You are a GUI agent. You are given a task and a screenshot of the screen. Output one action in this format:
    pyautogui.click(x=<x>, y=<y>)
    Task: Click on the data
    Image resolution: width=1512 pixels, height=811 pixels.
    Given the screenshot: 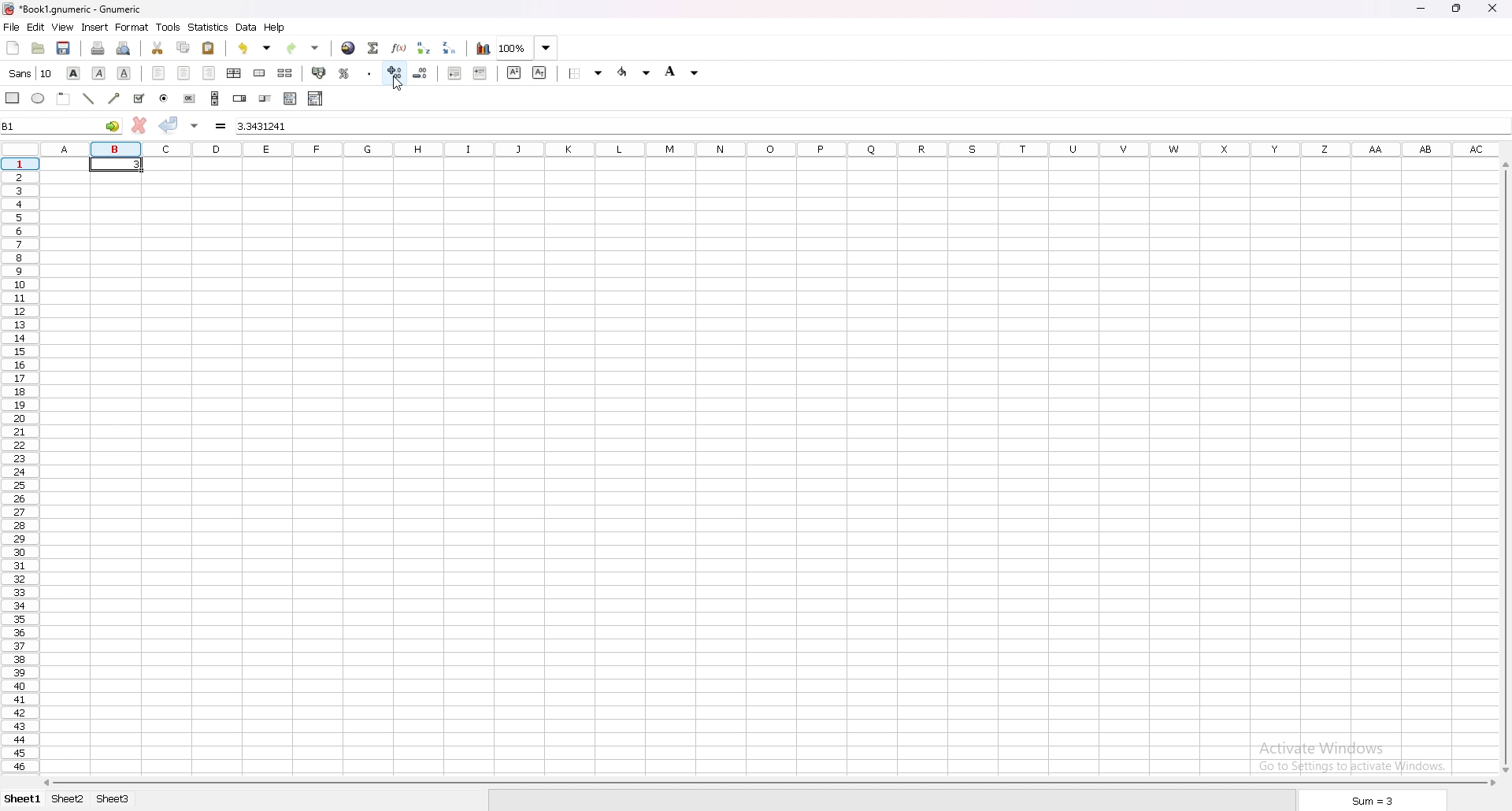 What is the action you would take?
    pyautogui.click(x=247, y=27)
    